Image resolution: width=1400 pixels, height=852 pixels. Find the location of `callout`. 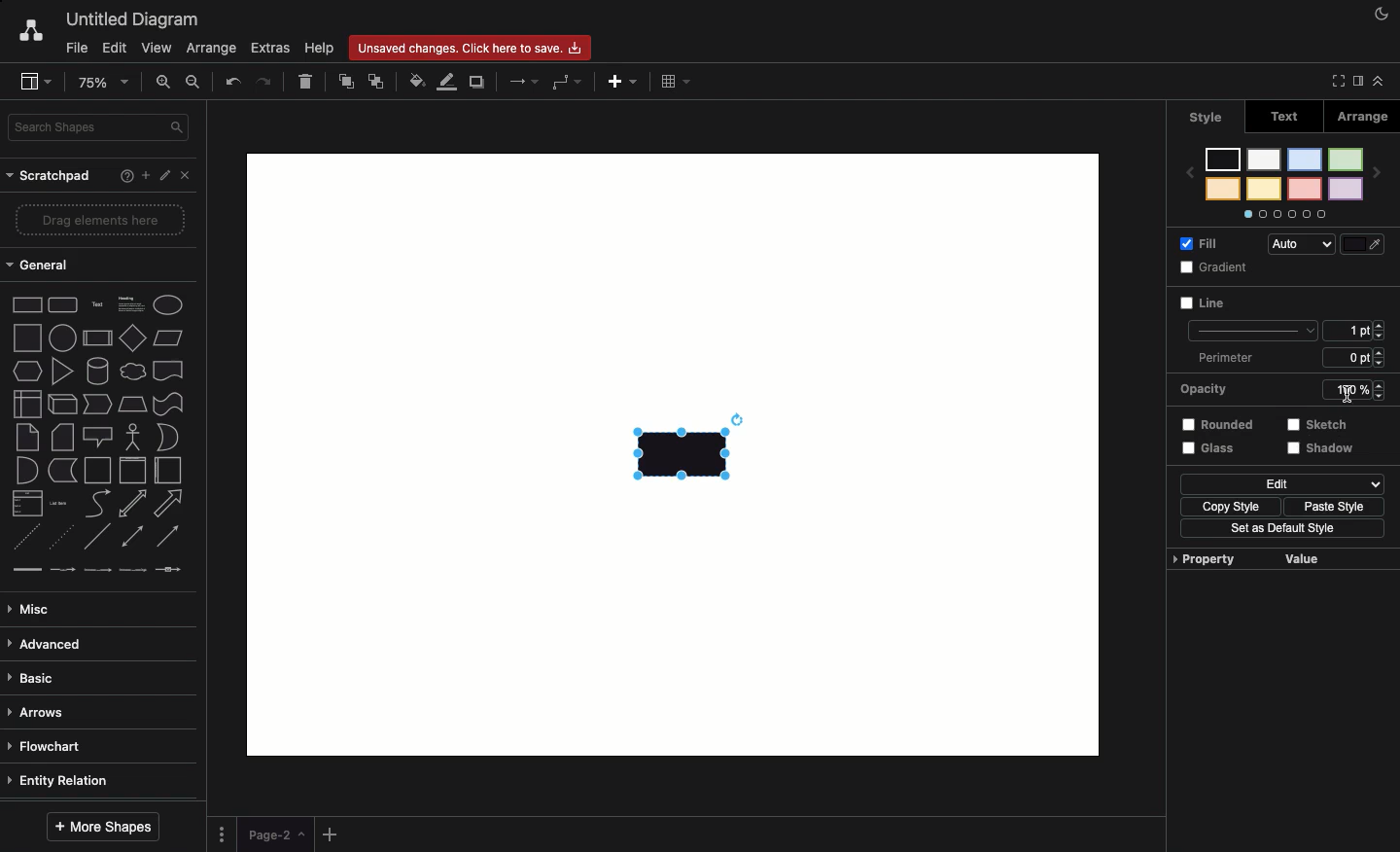

callout is located at coordinates (99, 436).